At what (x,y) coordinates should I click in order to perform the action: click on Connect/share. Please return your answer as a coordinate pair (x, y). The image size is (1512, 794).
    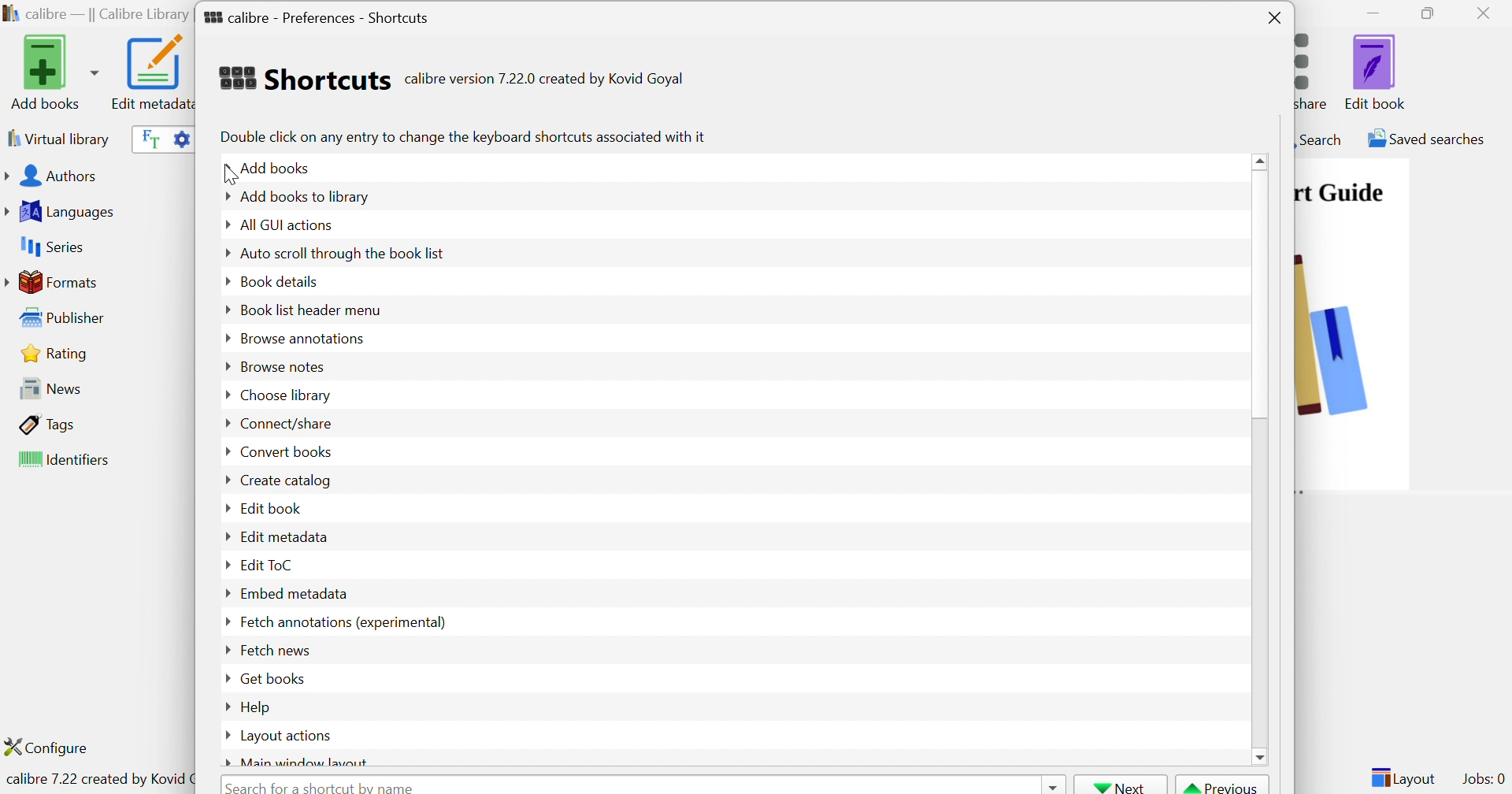
    Looking at the image, I should click on (287, 425).